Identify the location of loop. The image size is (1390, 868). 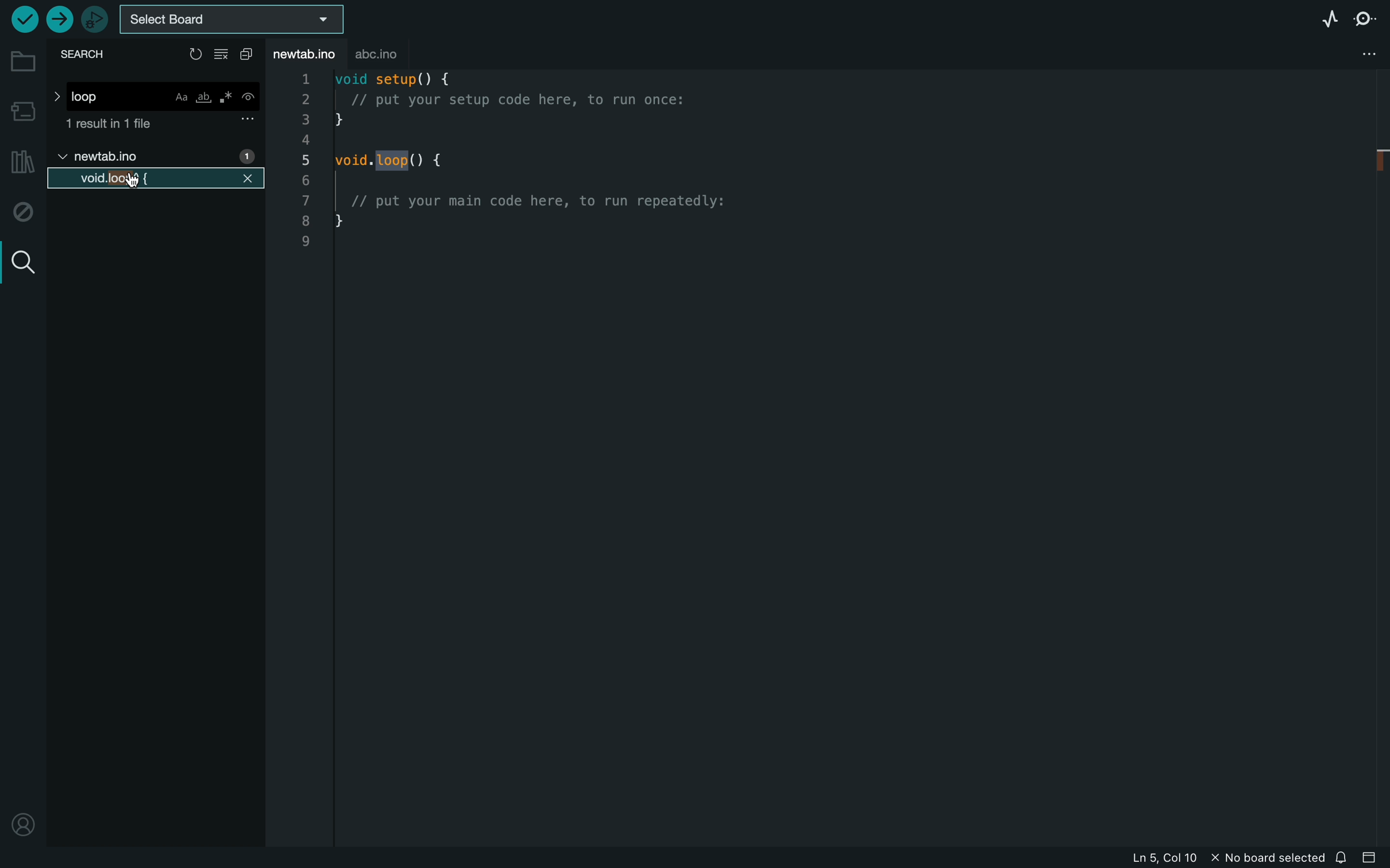
(157, 93).